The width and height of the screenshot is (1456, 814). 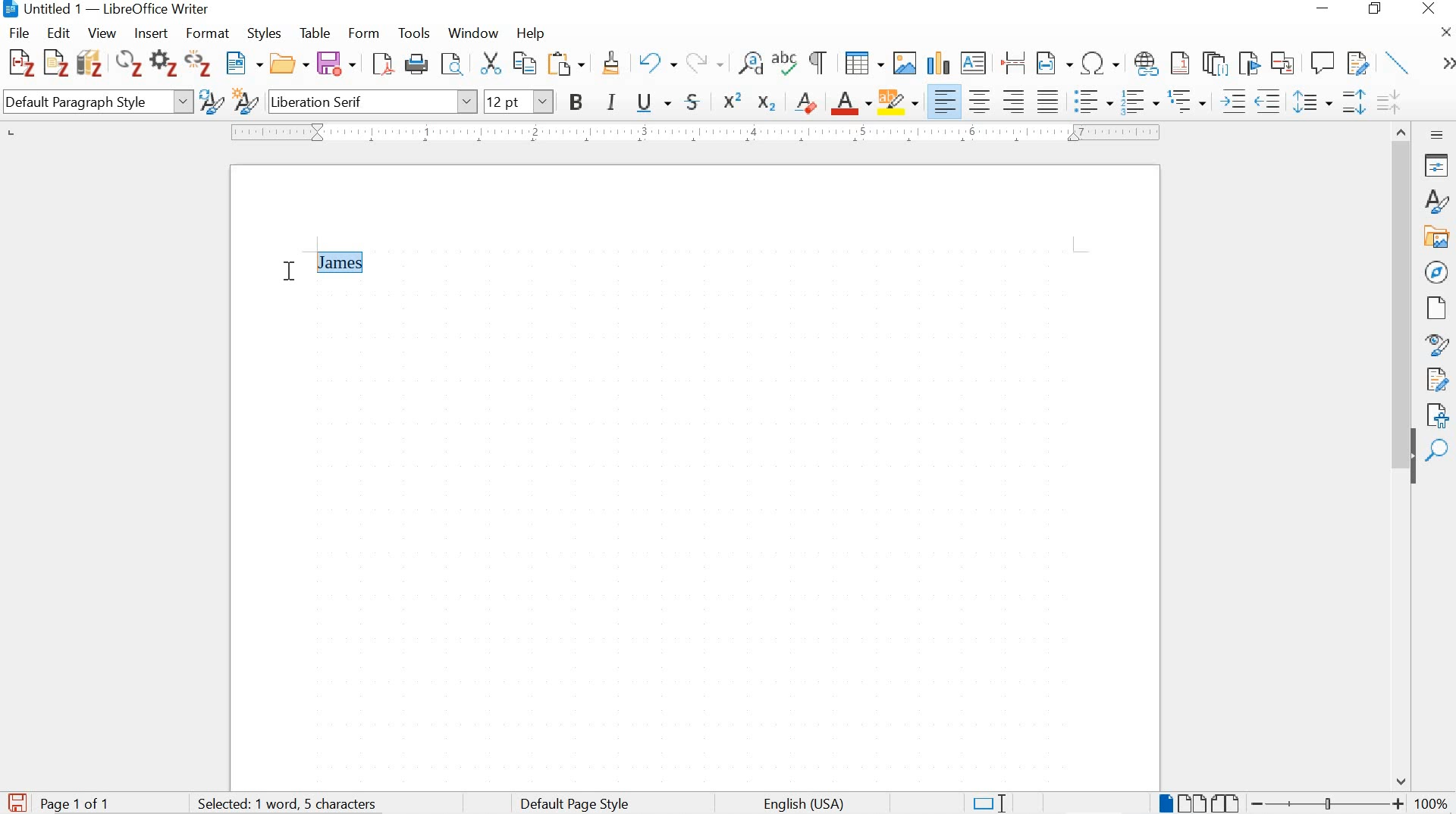 I want to click on insert text box, so click(x=974, y=64).